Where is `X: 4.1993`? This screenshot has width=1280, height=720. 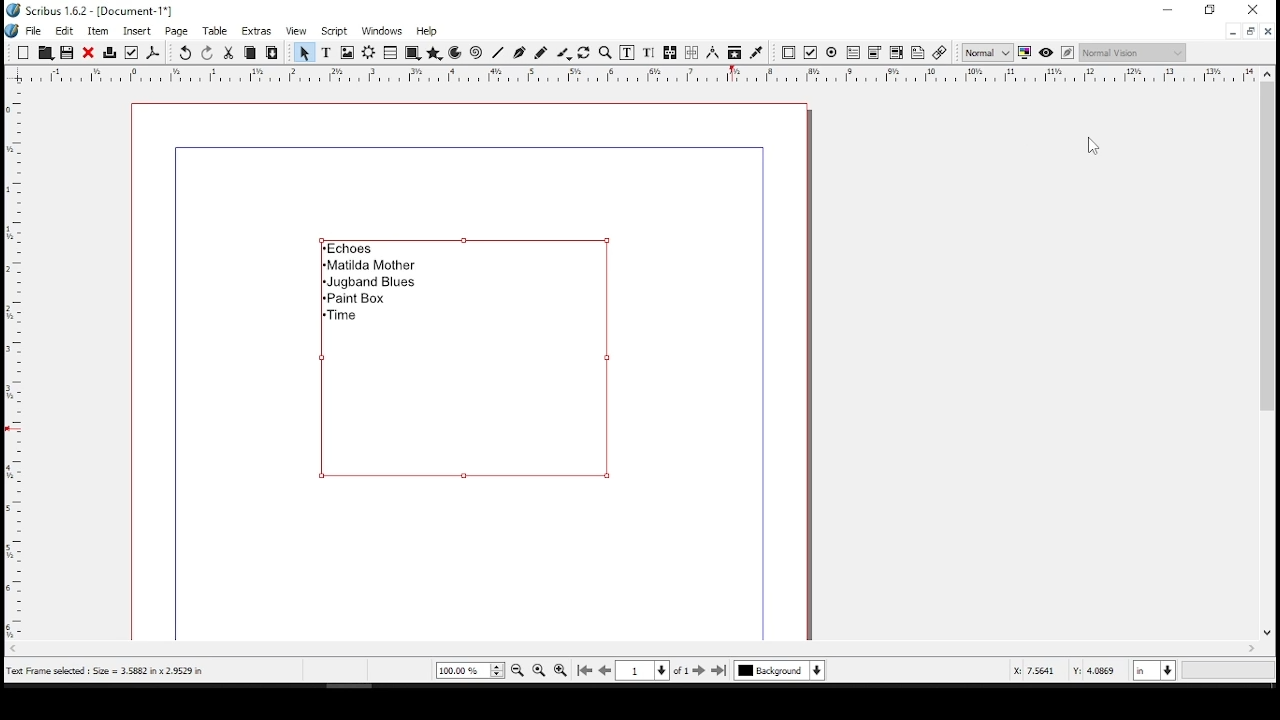 X: 4.1993 is located at coordinates (1029, 670).